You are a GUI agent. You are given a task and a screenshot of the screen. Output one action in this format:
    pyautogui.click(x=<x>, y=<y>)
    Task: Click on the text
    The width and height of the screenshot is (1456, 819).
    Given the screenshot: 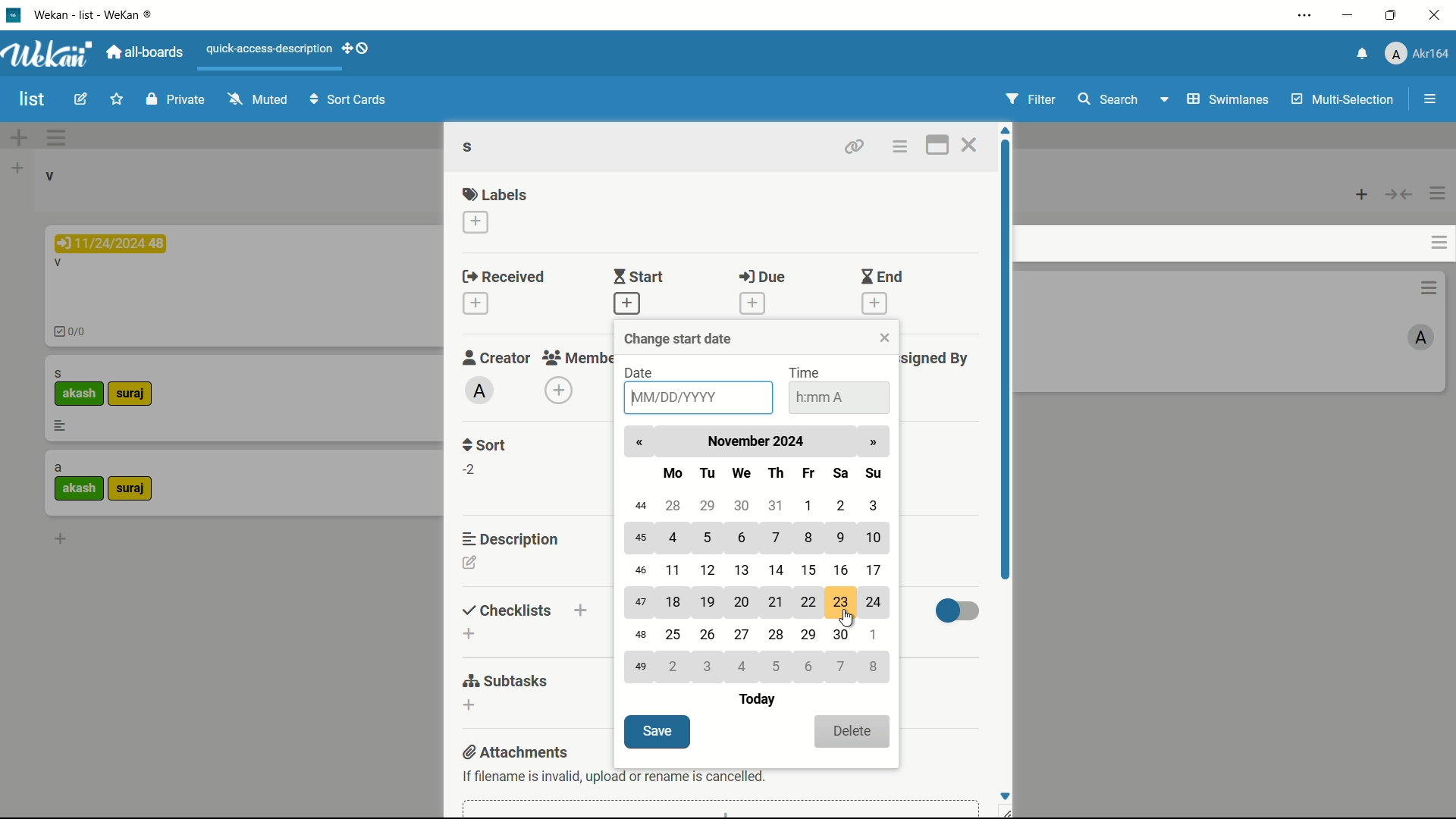 What is the action you would take?
    pyautogui.click(x=613, y=776)
    